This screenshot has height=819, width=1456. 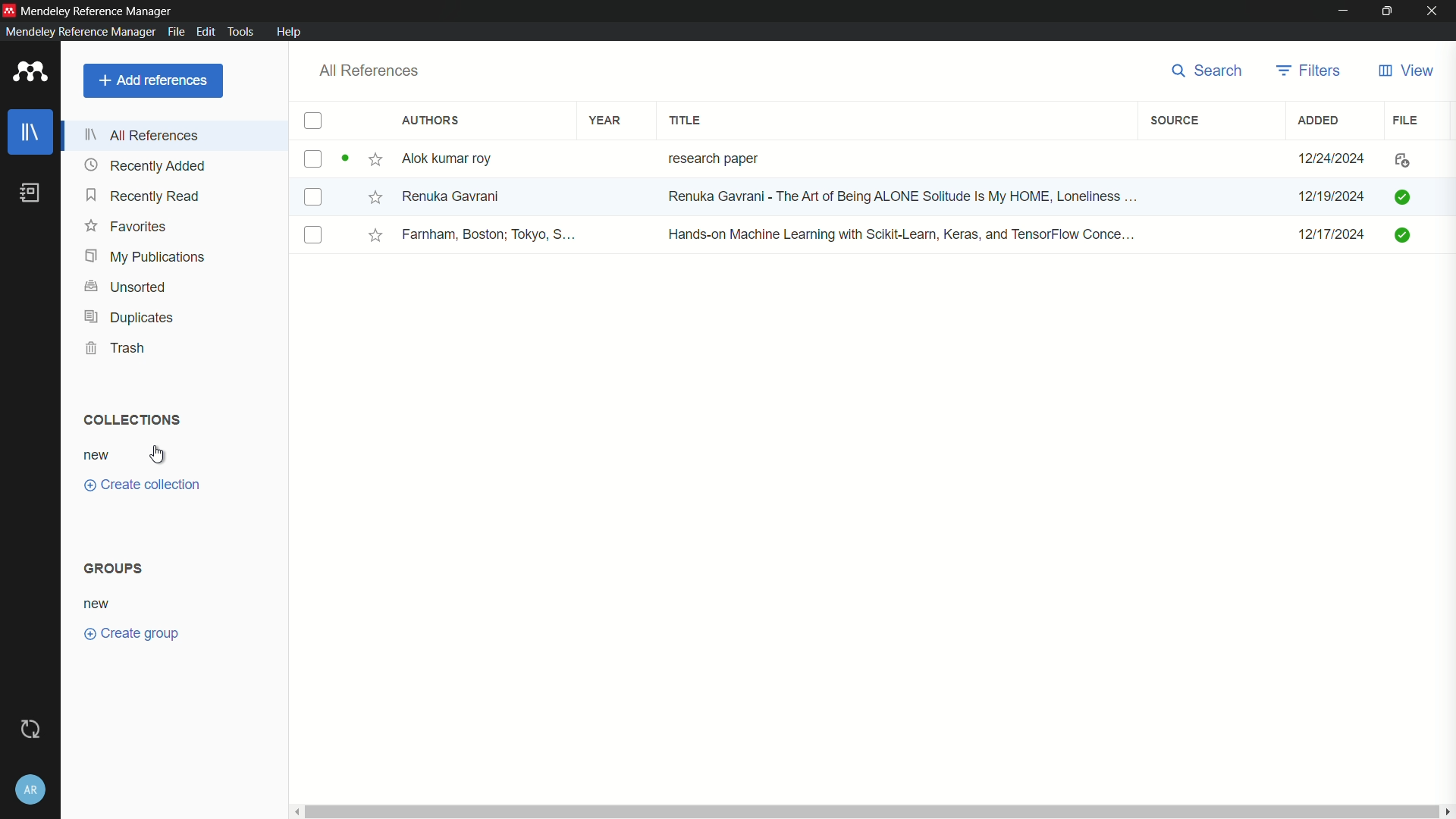 I want to click on file, so click(x=1399, y=160).